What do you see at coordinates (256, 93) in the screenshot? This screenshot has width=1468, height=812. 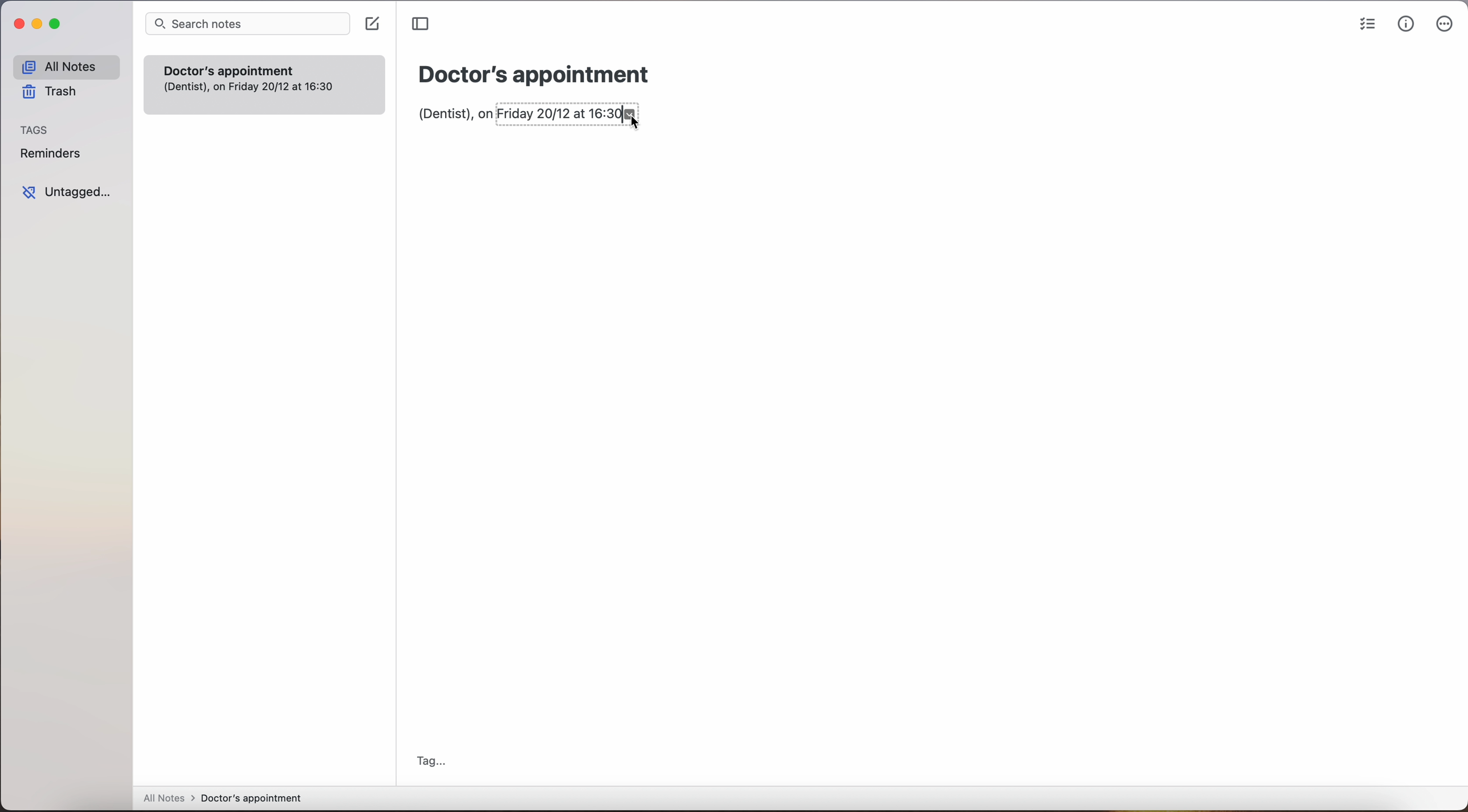 I see `(Dentist), on Friday 20/12 at 16:30` at bounding box center [256, 93].